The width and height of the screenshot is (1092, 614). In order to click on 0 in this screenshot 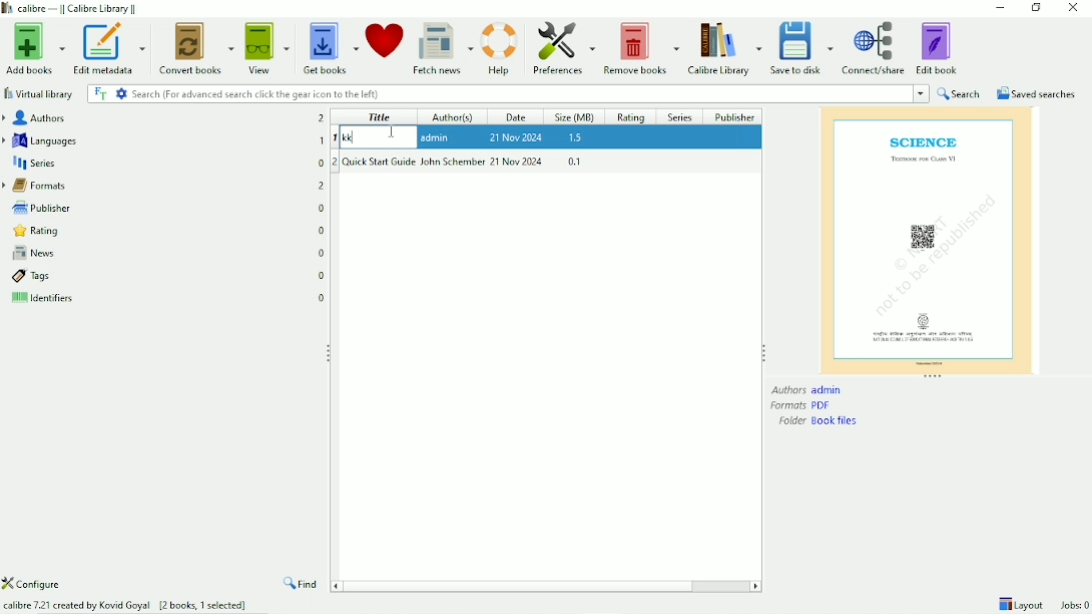, I will do `click(323, 276)`.